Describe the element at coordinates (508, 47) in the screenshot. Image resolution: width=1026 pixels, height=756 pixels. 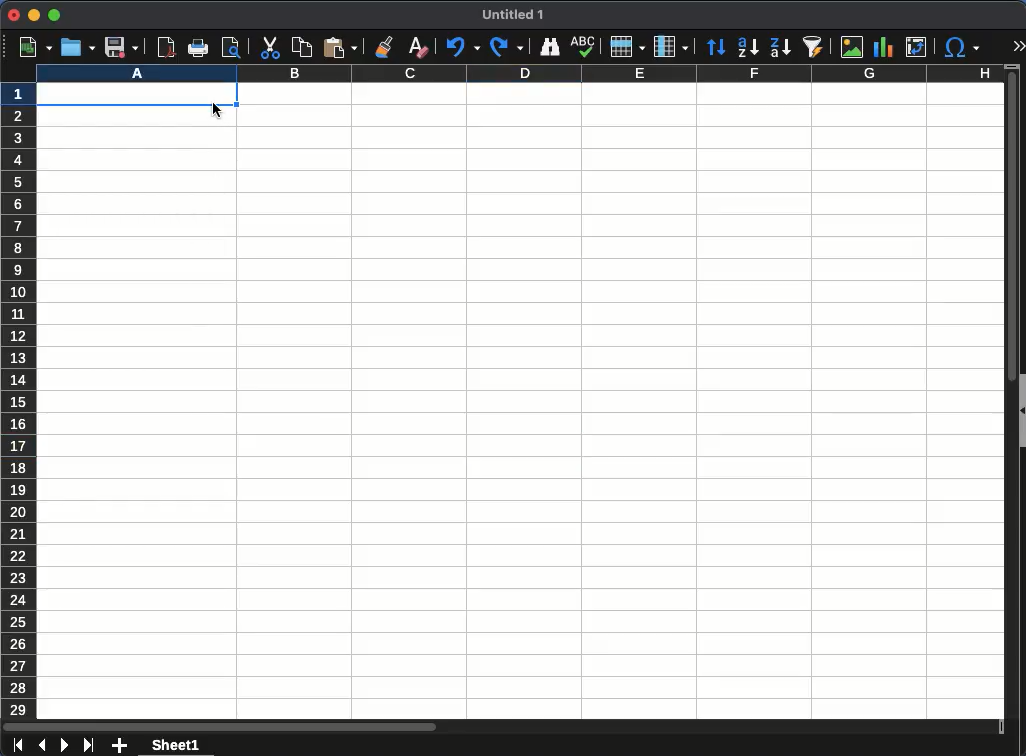
I see `redo` at that location.